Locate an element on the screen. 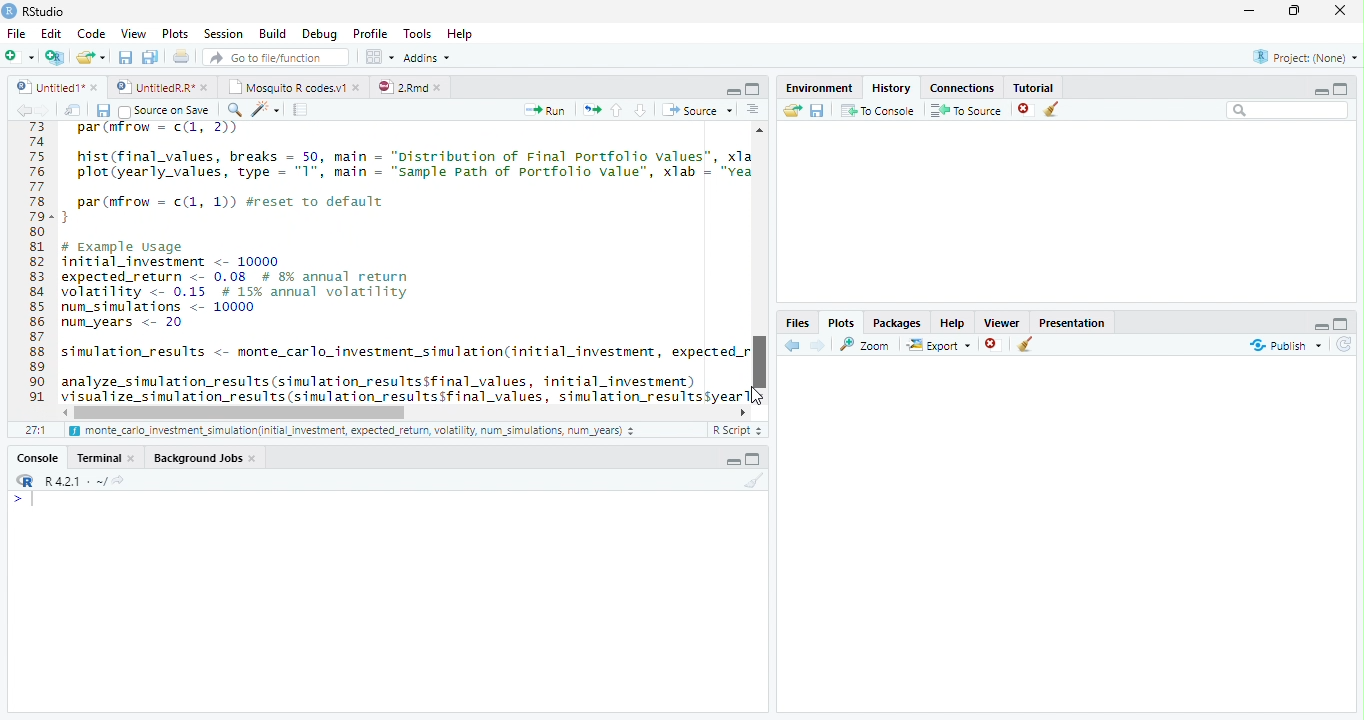  Session is located at coordinates (222, 33).